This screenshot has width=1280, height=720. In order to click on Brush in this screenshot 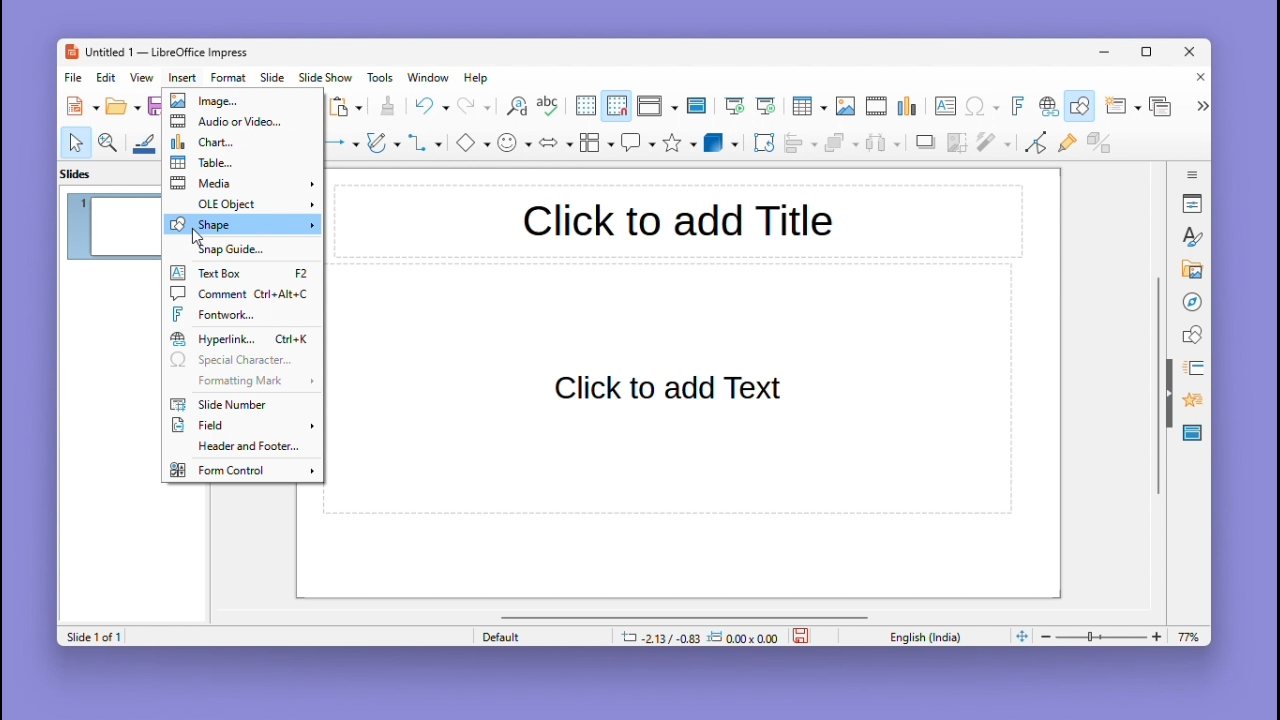, I will do `click(145, 140)`.